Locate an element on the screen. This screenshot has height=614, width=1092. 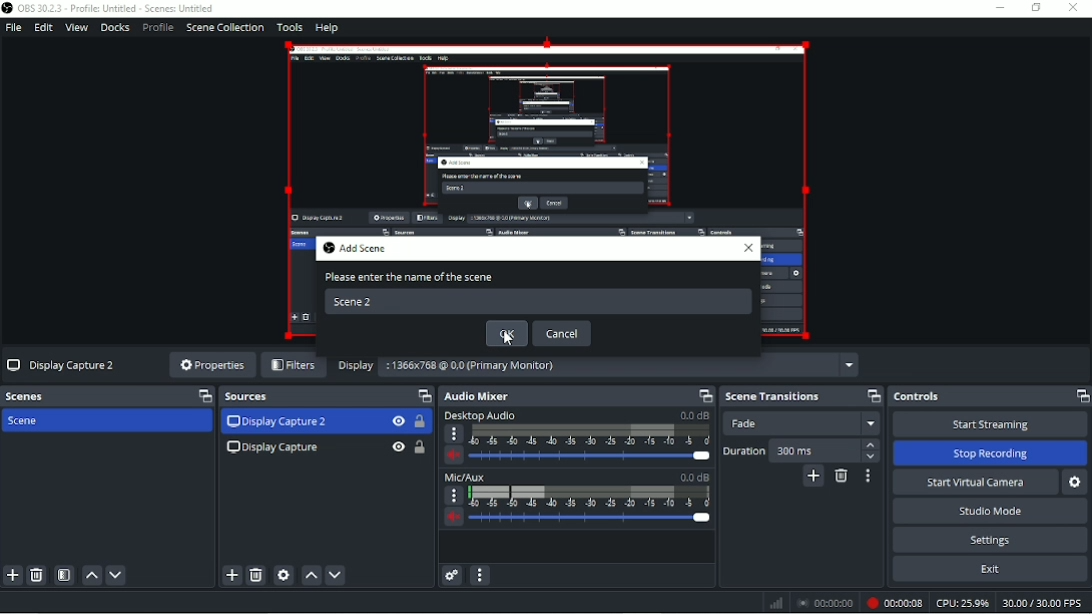
Remove selected scene is located at coordinates (37, 575).